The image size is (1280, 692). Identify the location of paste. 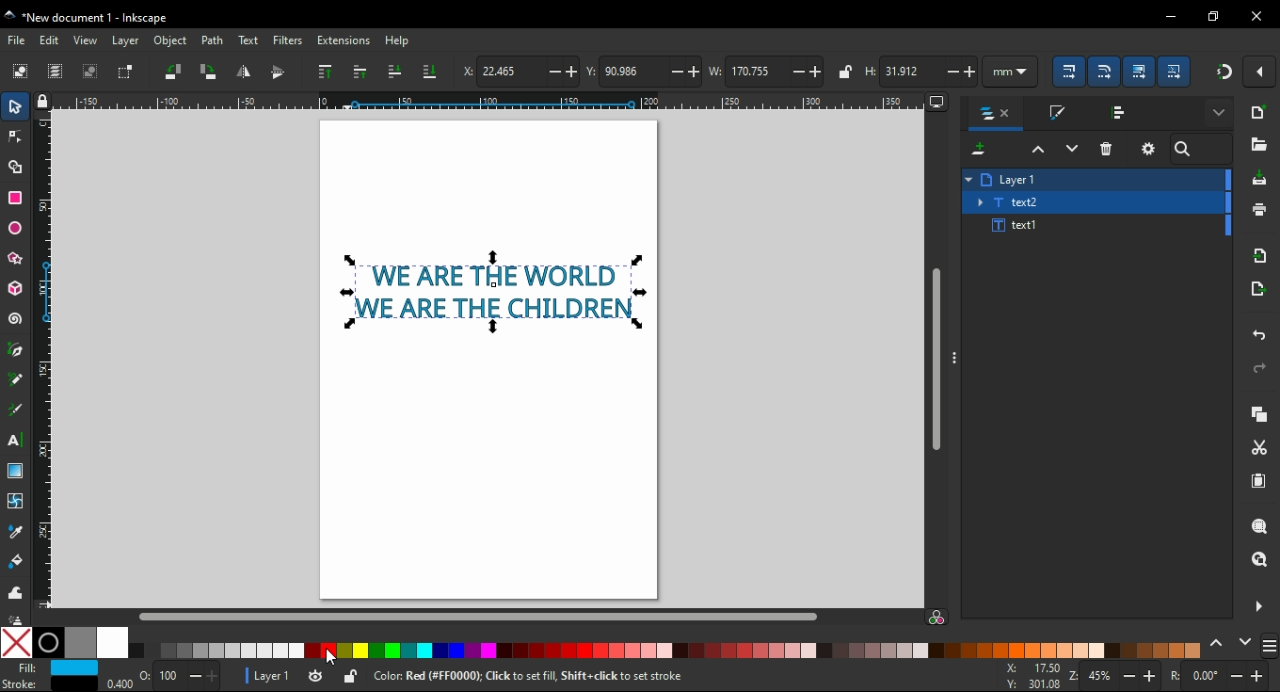
(1257, 483).